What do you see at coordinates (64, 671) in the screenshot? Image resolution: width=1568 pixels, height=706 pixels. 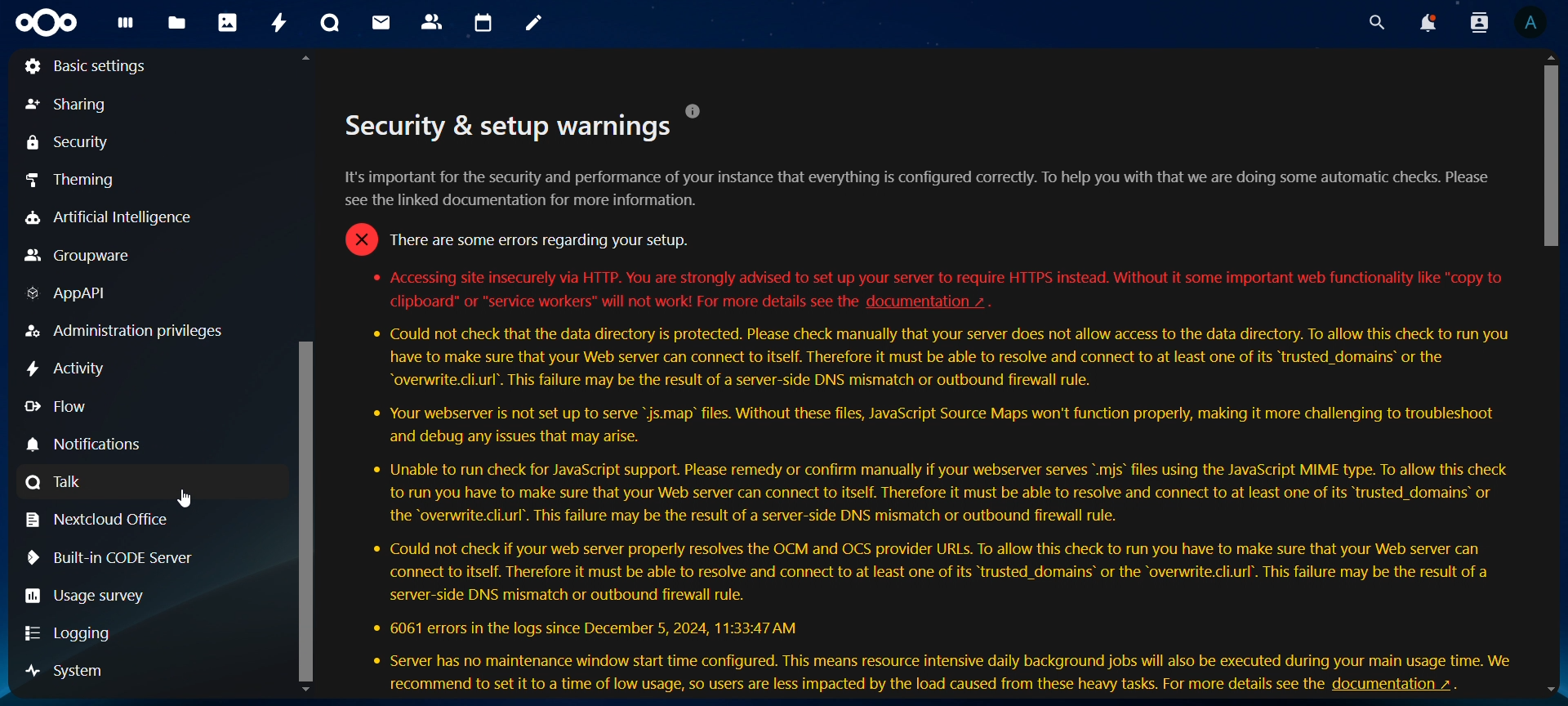 I see `system` at bounding box center [64, 671].